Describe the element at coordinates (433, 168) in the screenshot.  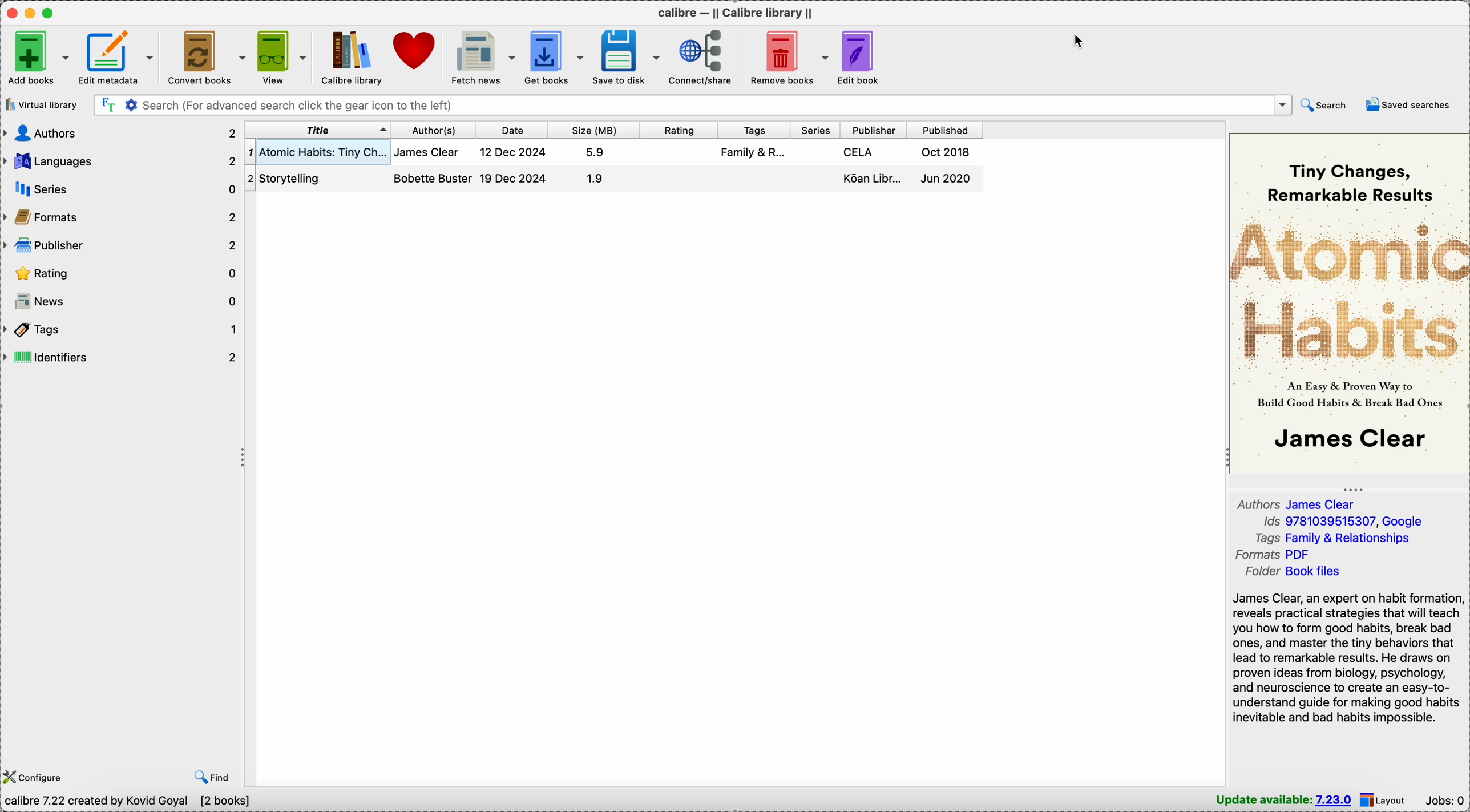
I see `authors` at that location.